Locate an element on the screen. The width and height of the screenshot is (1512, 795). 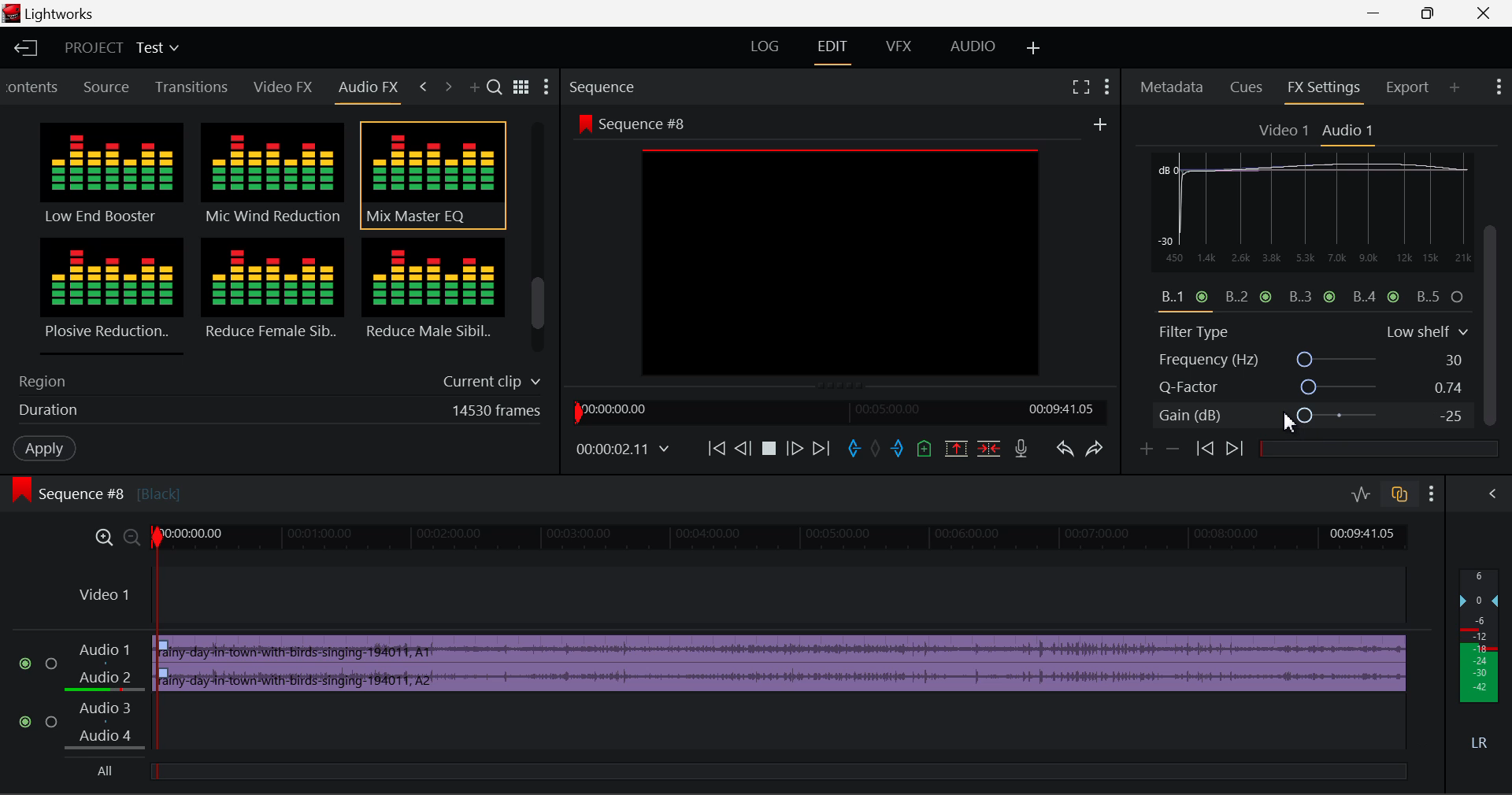
MOUSE_DOWN Cursor Position is located at coordinates (1496, 242).